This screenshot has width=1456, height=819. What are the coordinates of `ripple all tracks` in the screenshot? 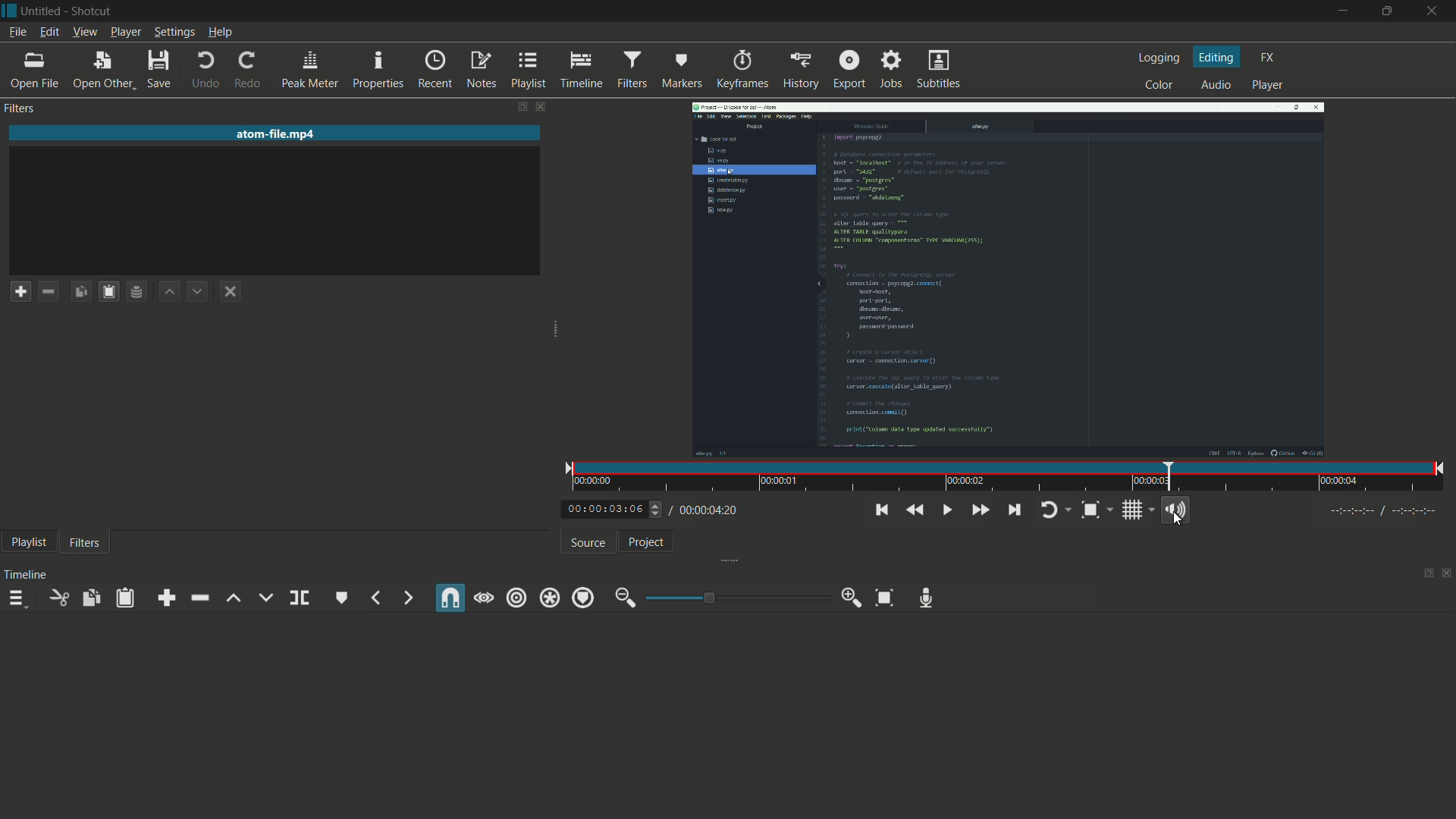 It's located at (548, 598).